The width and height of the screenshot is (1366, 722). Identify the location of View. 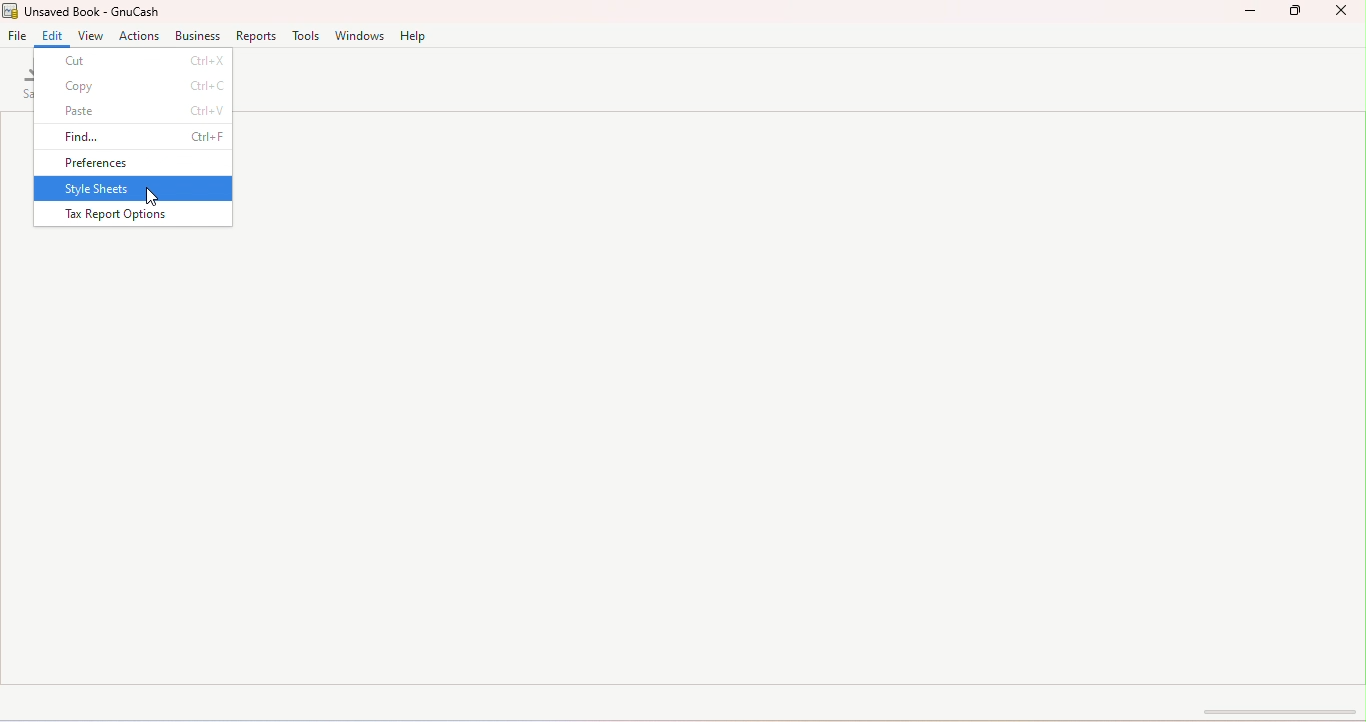
(89, 37).